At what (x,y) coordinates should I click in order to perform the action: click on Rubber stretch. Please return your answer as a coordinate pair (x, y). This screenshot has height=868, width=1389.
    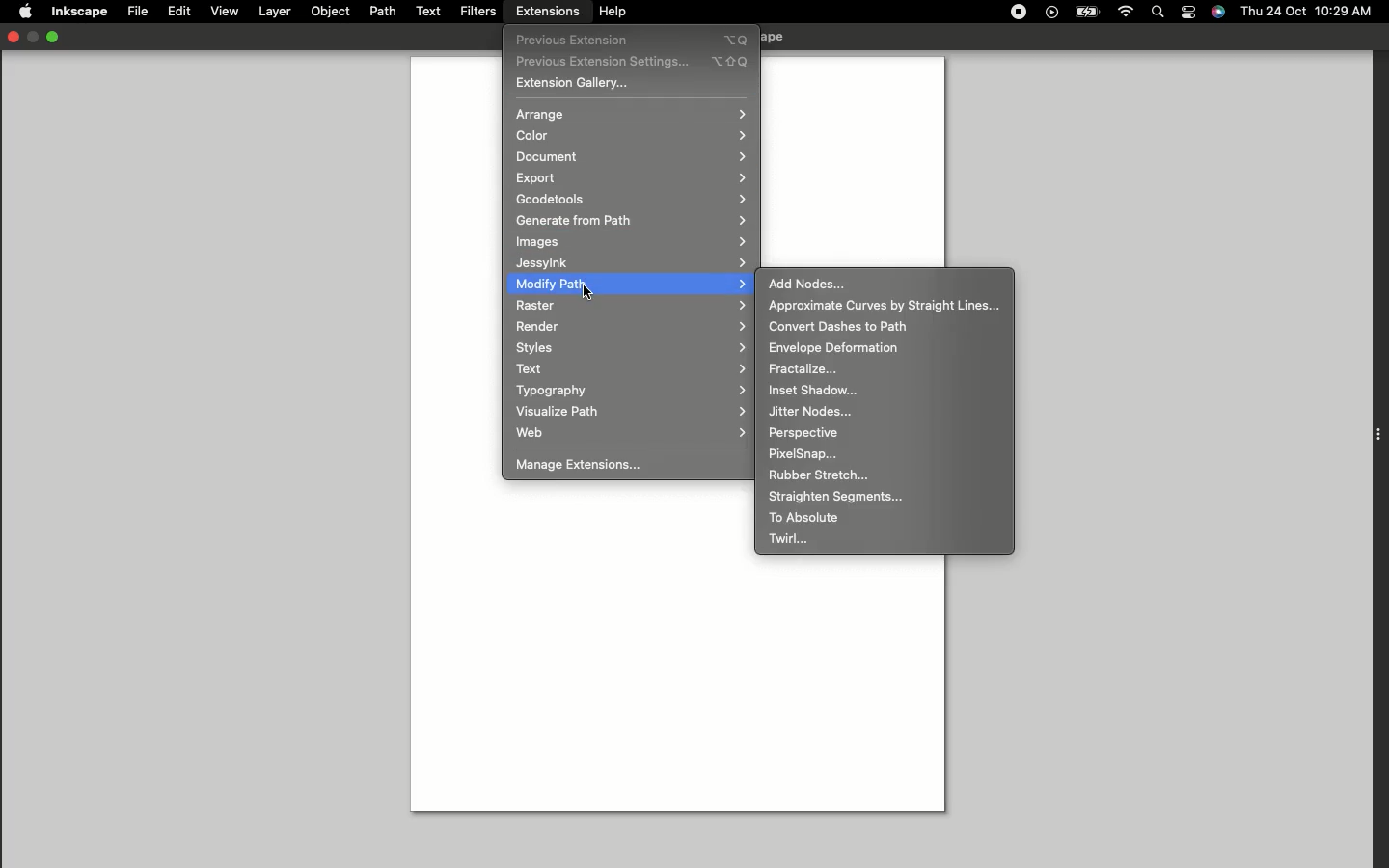
    Looking at the image, I should click on (827, 475).